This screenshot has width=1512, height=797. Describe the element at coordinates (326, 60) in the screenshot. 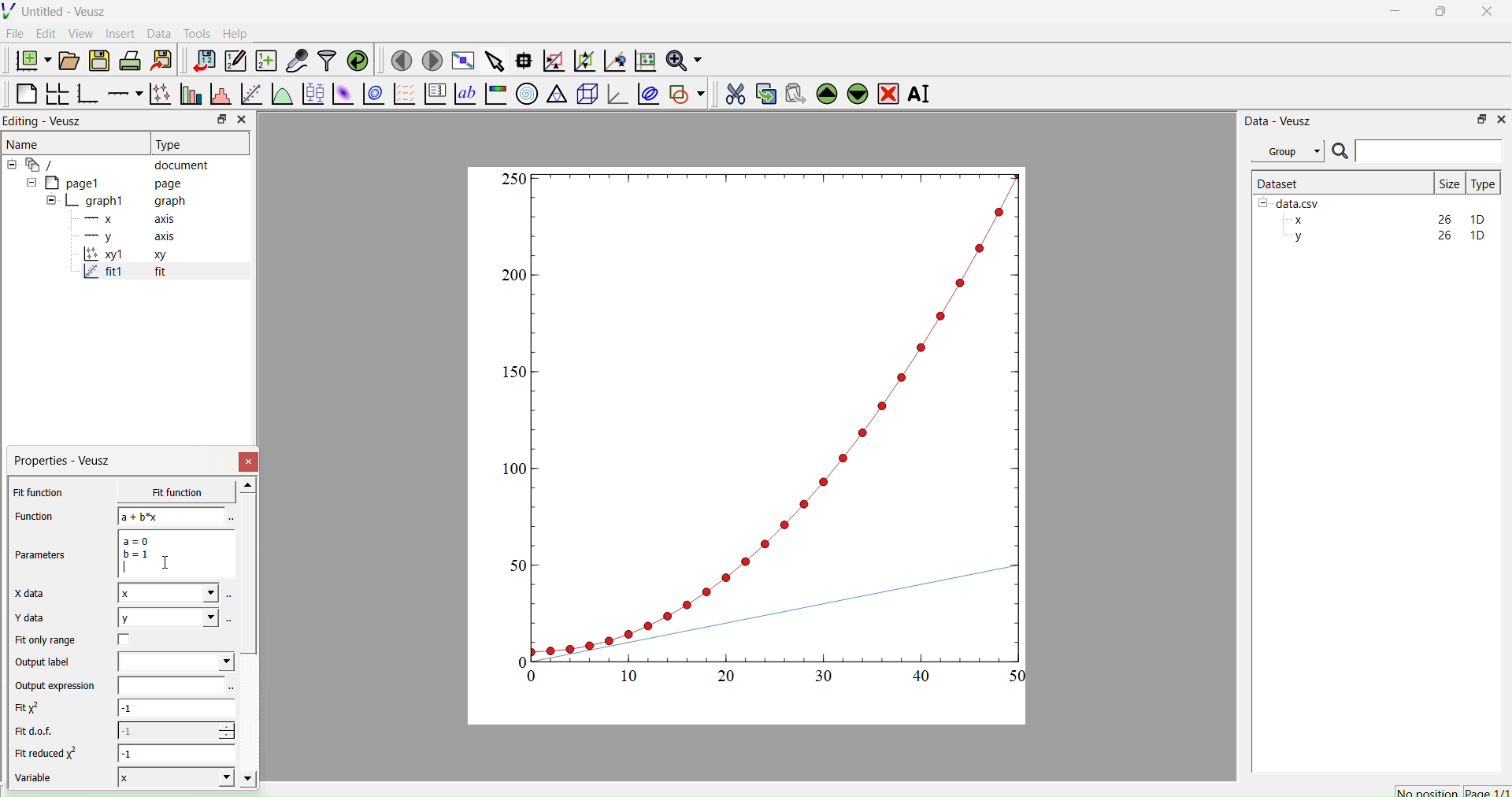

I see `Filter data` at that location.